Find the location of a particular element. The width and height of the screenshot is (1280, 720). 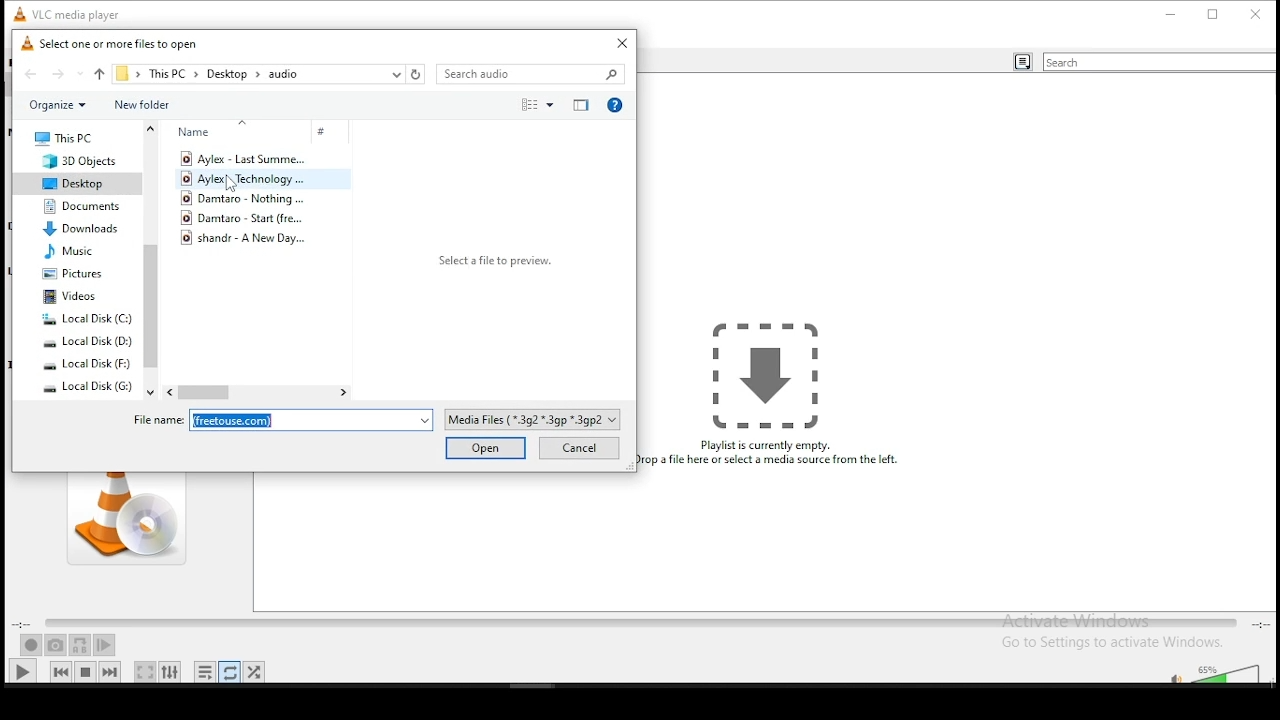

change view is located at coordinates (532, 106).